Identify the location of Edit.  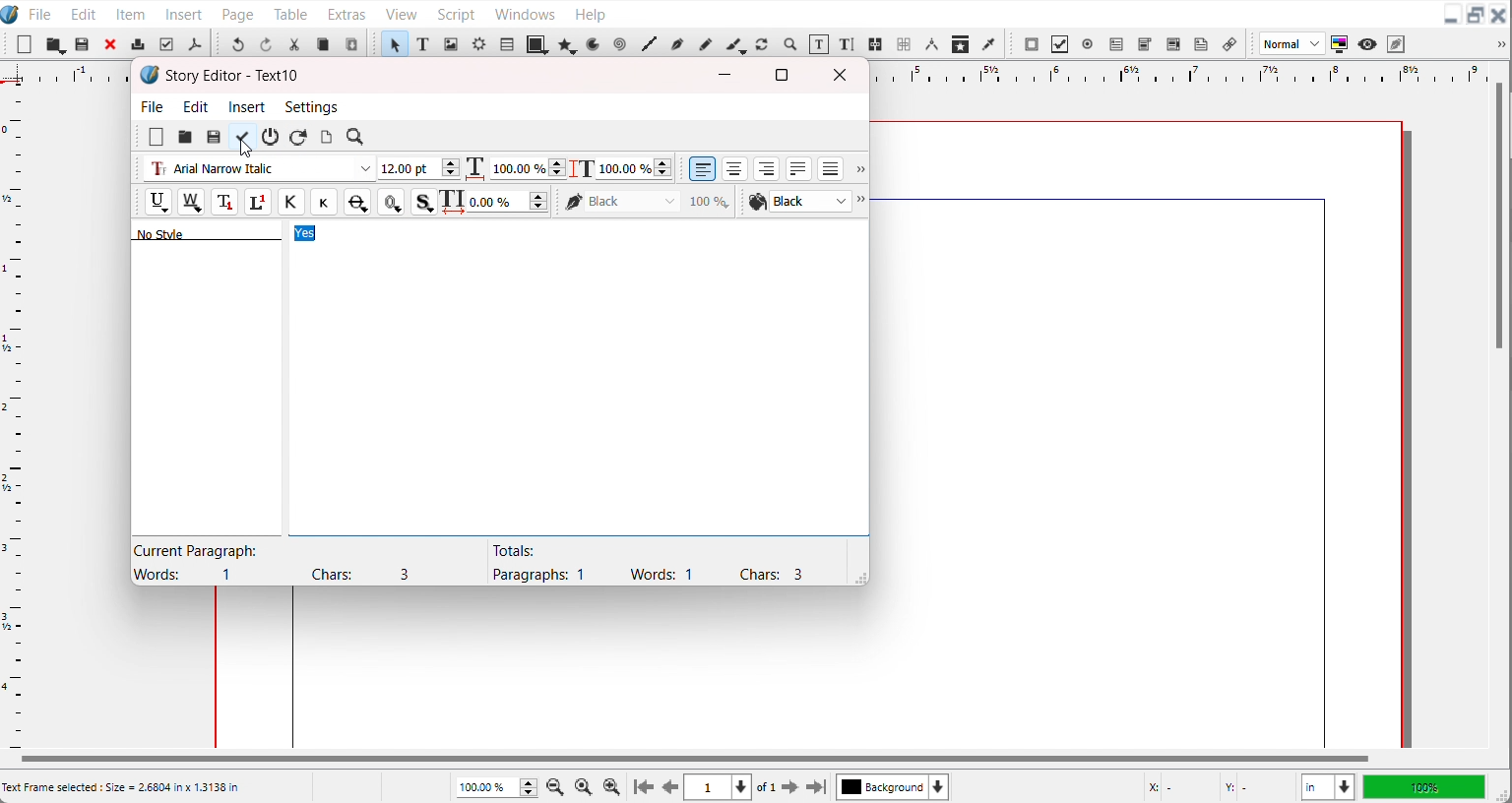
(197, 106).